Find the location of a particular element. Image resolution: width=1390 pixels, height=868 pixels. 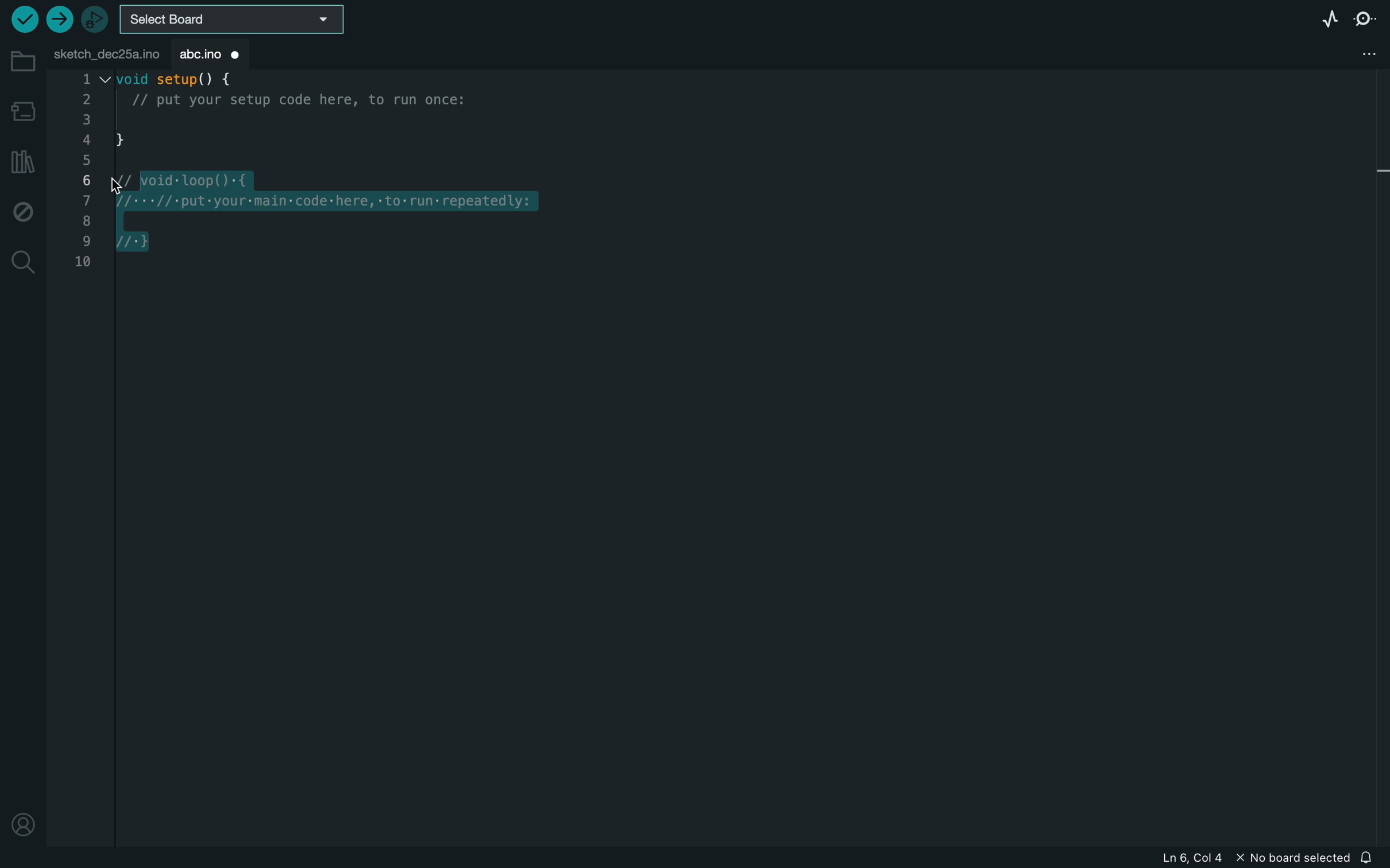

verify is located at coordinates (23, 18).